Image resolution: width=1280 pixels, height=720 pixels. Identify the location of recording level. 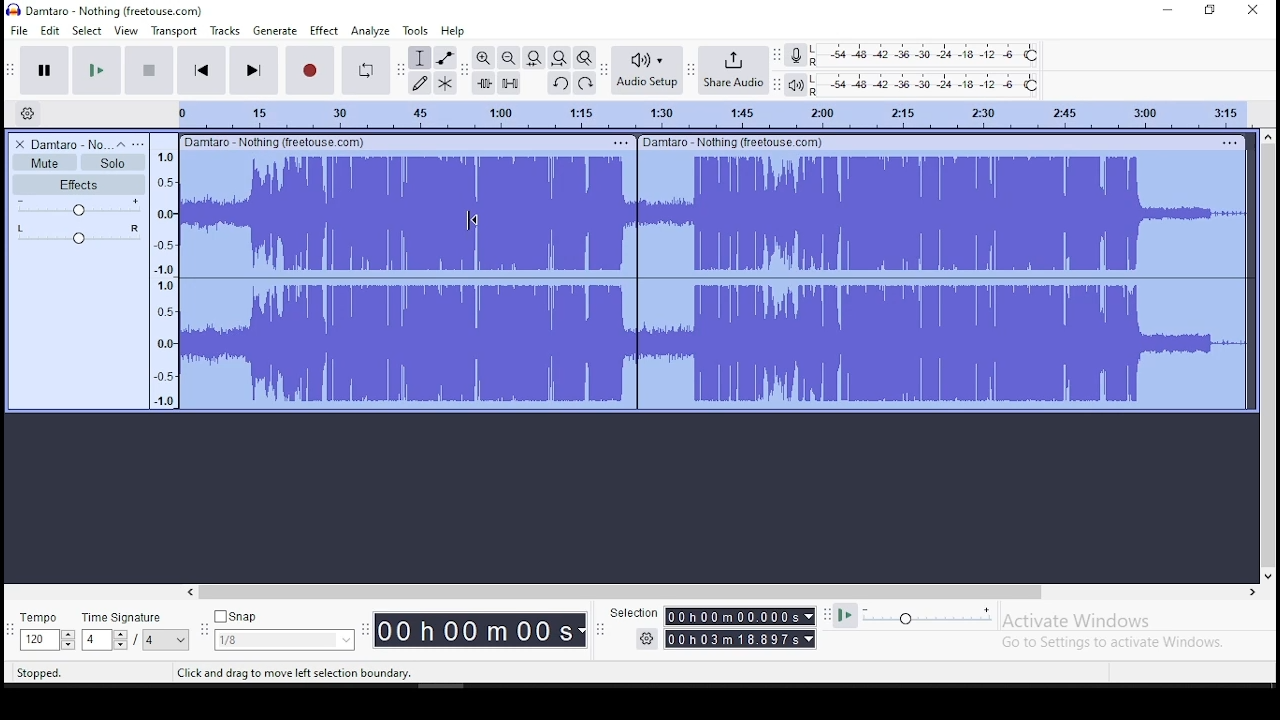
(925, 55).